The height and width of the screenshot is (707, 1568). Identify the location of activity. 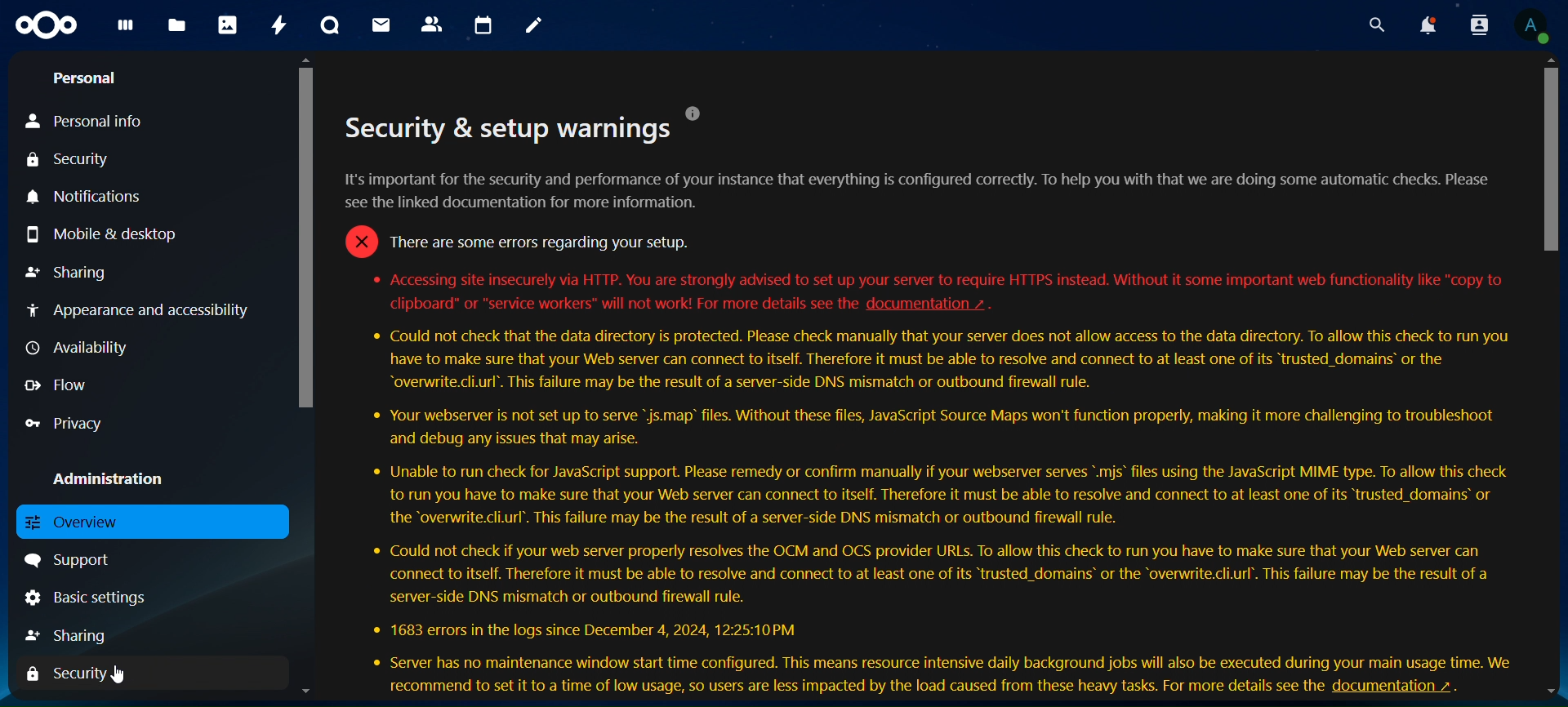
(278, 24).